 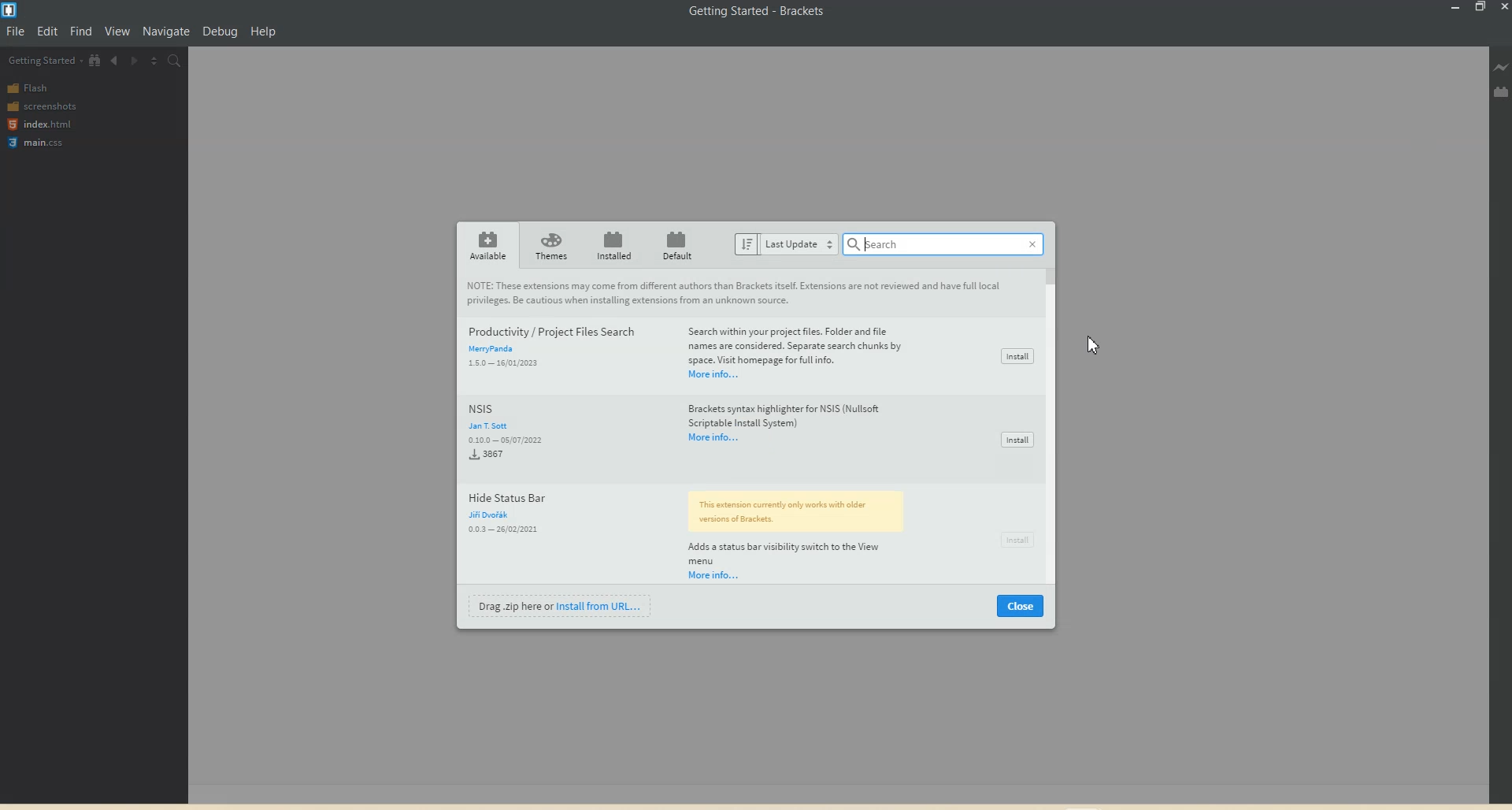 I want to click on Install, so click(x=1018, y=439).